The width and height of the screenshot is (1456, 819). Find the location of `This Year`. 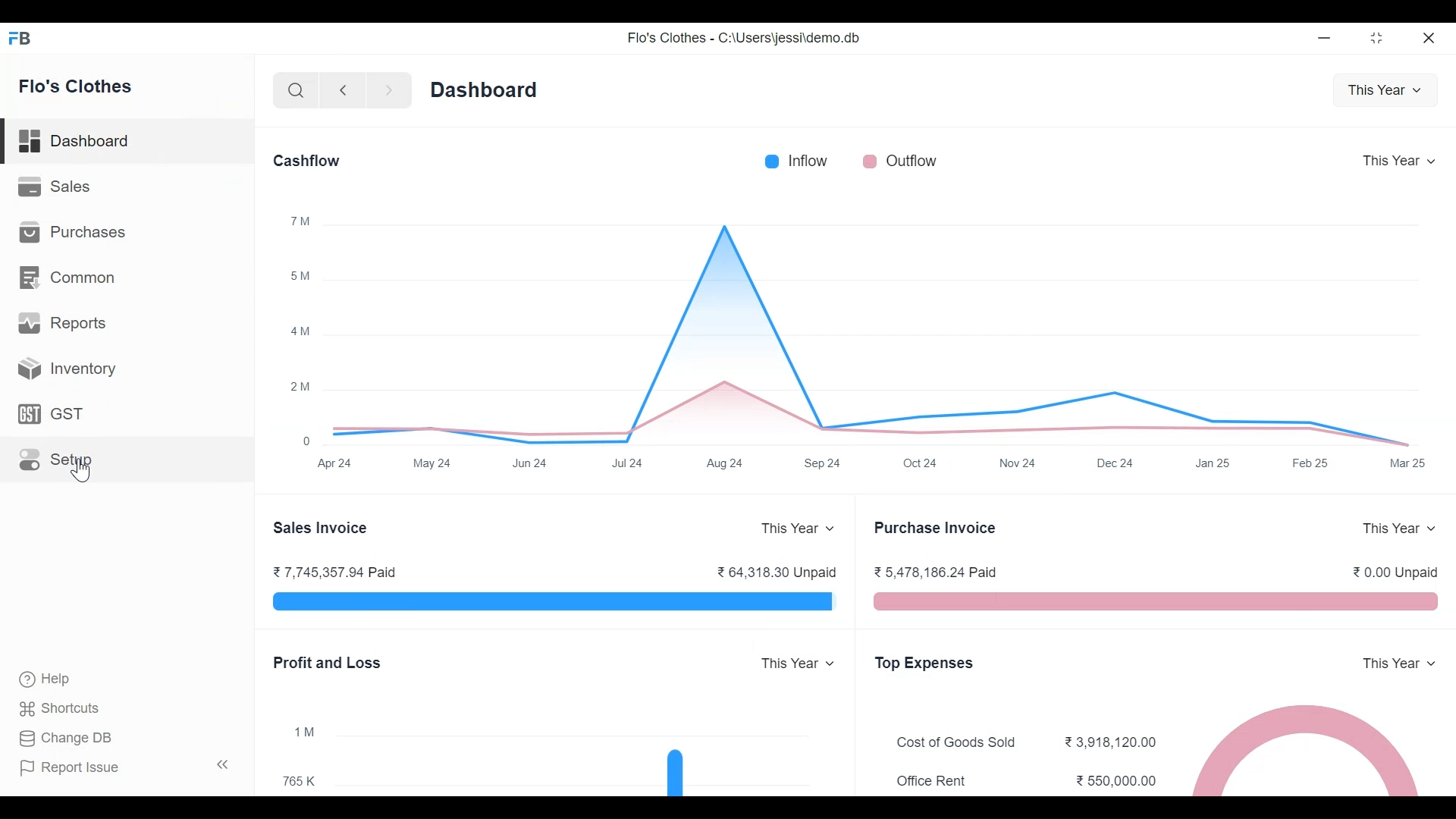

This Year is located at coordinates (790, 657).